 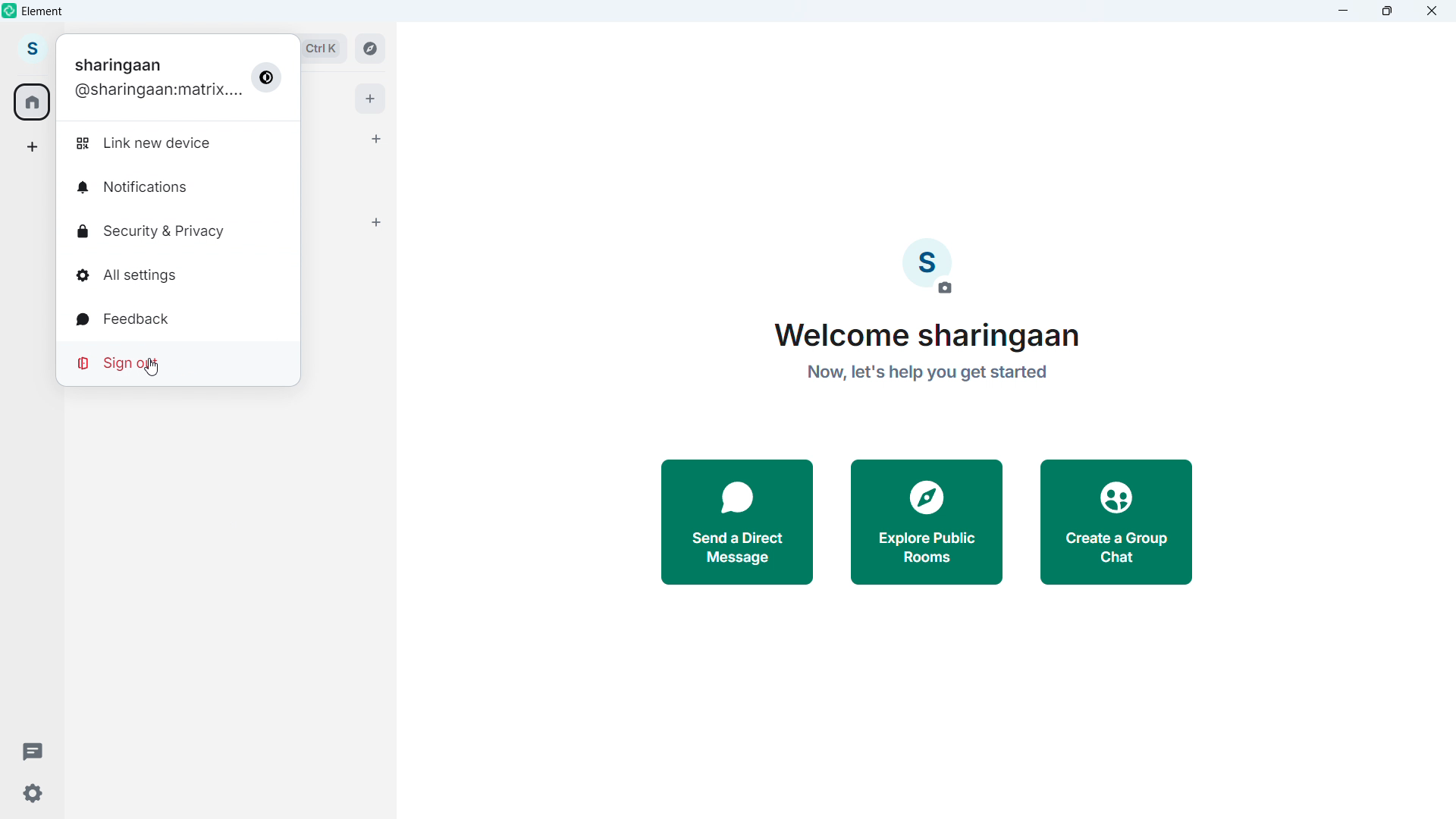 I want to click on Explore rooms , so click(x=370, y=47).